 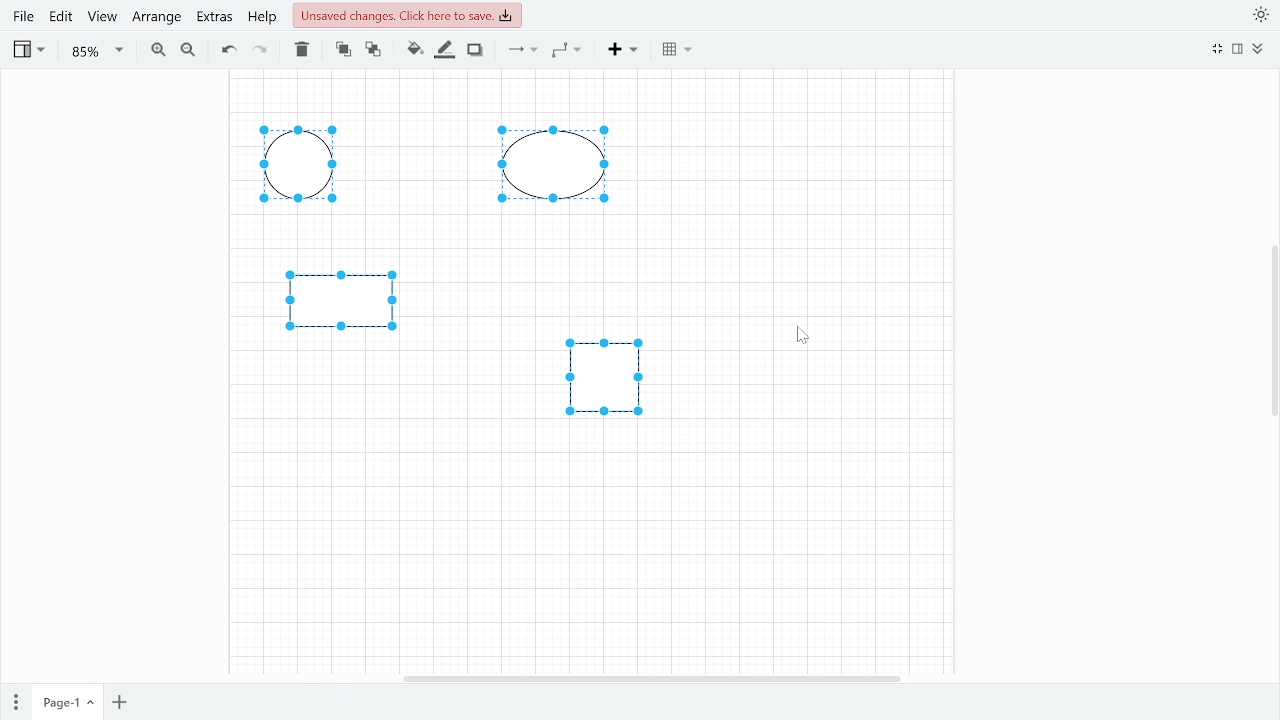 I want to click on Delete, so click(x=302, y=51).